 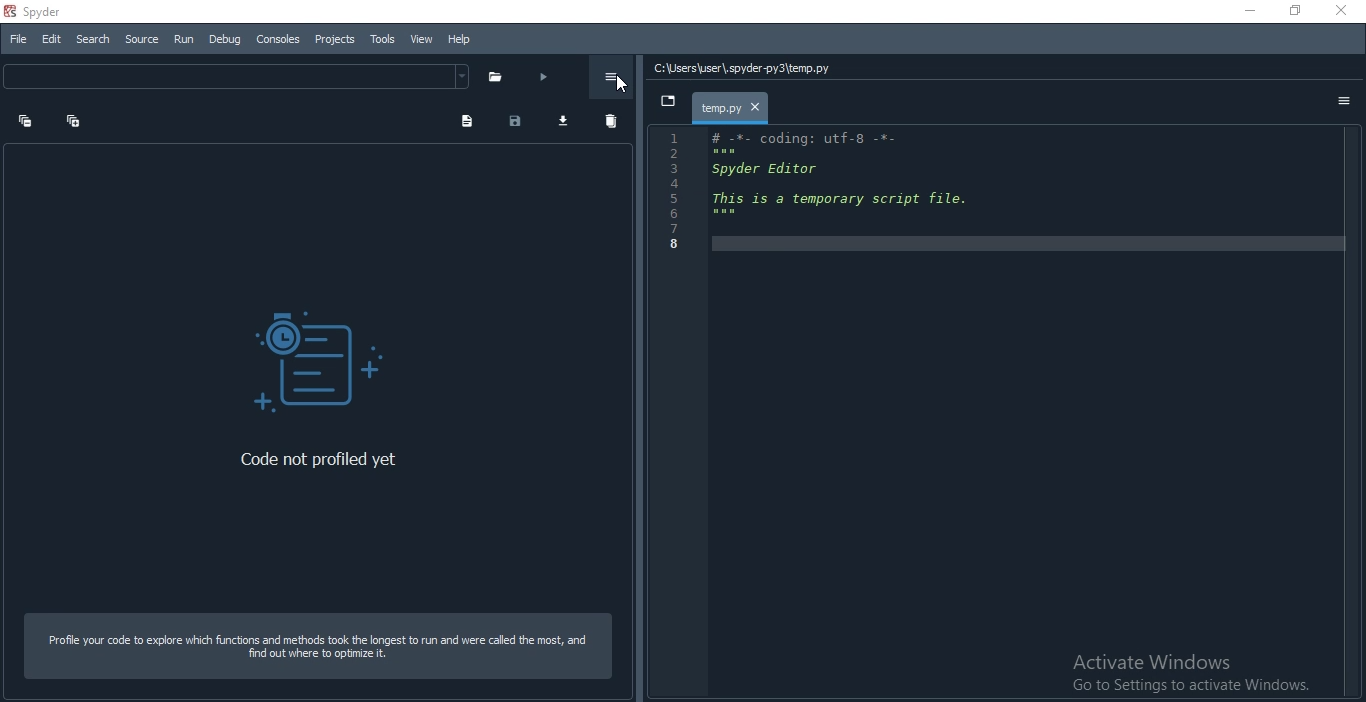 What do you see at coordinates (615, 122) in the screenshot?
I see `delete all` at bounding box center [615, 122].